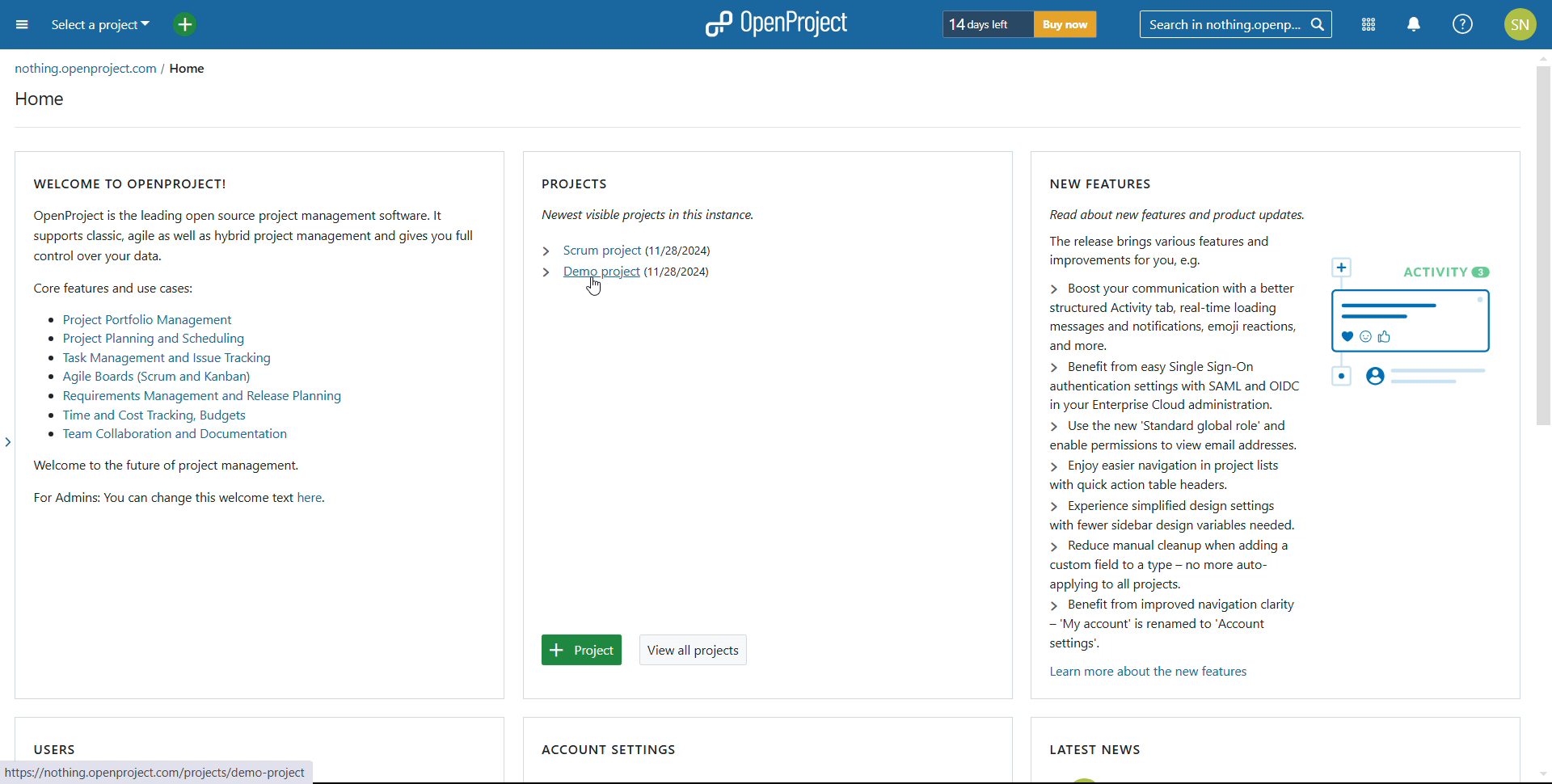  Describe the element at coordinates (1542, 56) in the screenshot. I see `scroll up` at that location.